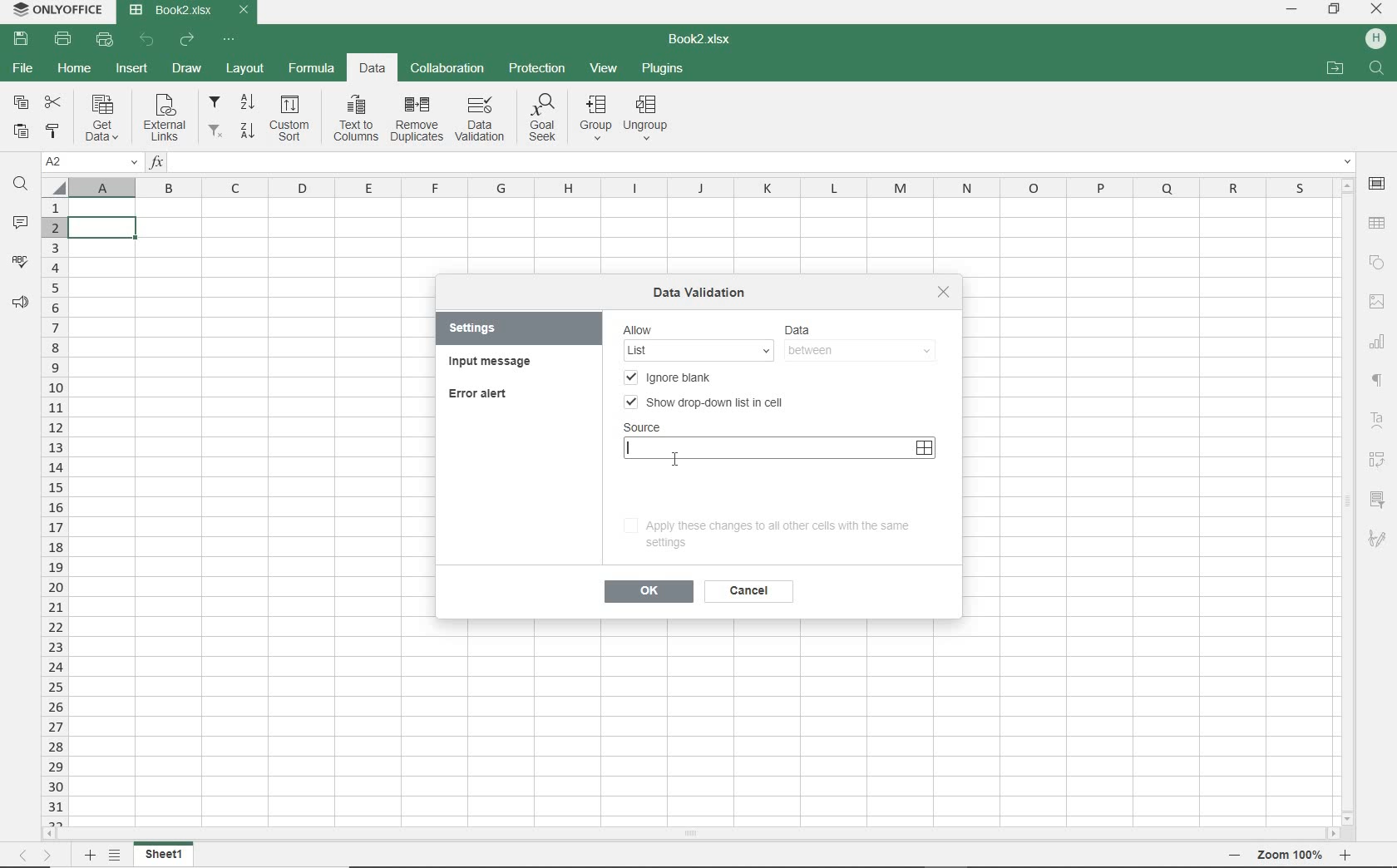 The height and width of the screenshot is (868, 1397). Describe the element at coordinates (368, 69) in the screenshot. I see `DATA` at that location.